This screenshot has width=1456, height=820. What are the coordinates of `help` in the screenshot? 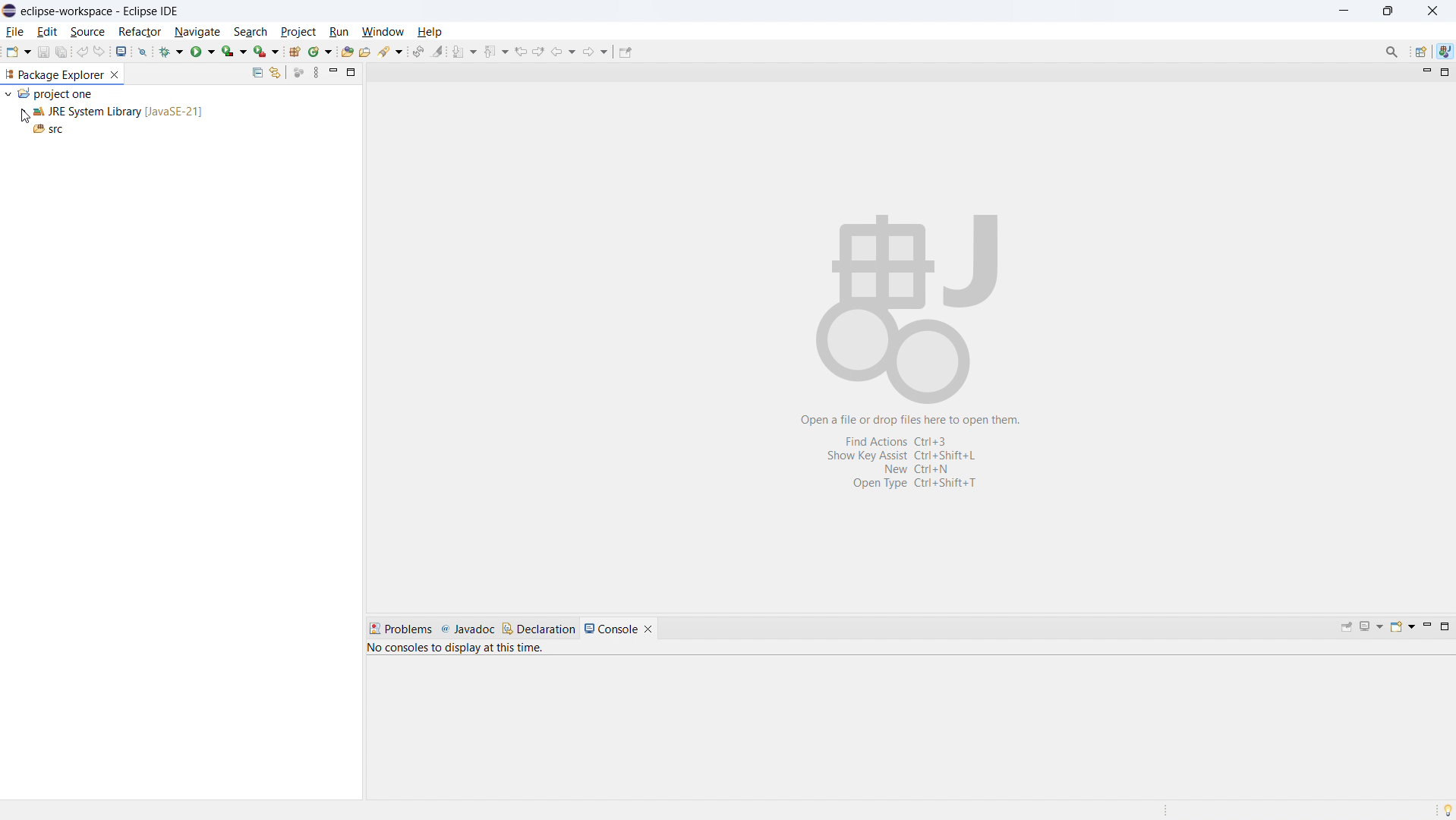 It's located at (433, 30).